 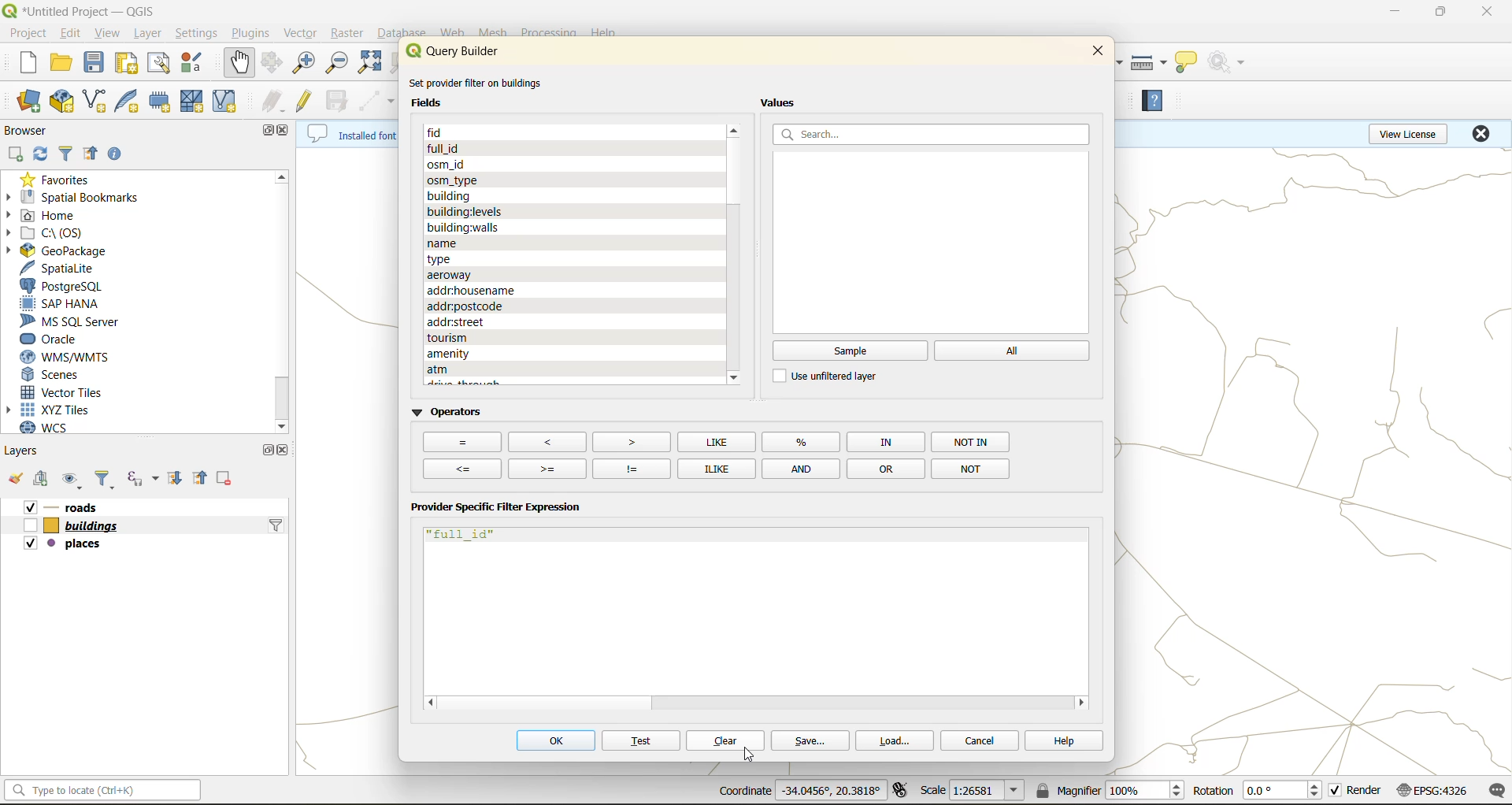 I want to click on fields, so click(x=461, y=322).